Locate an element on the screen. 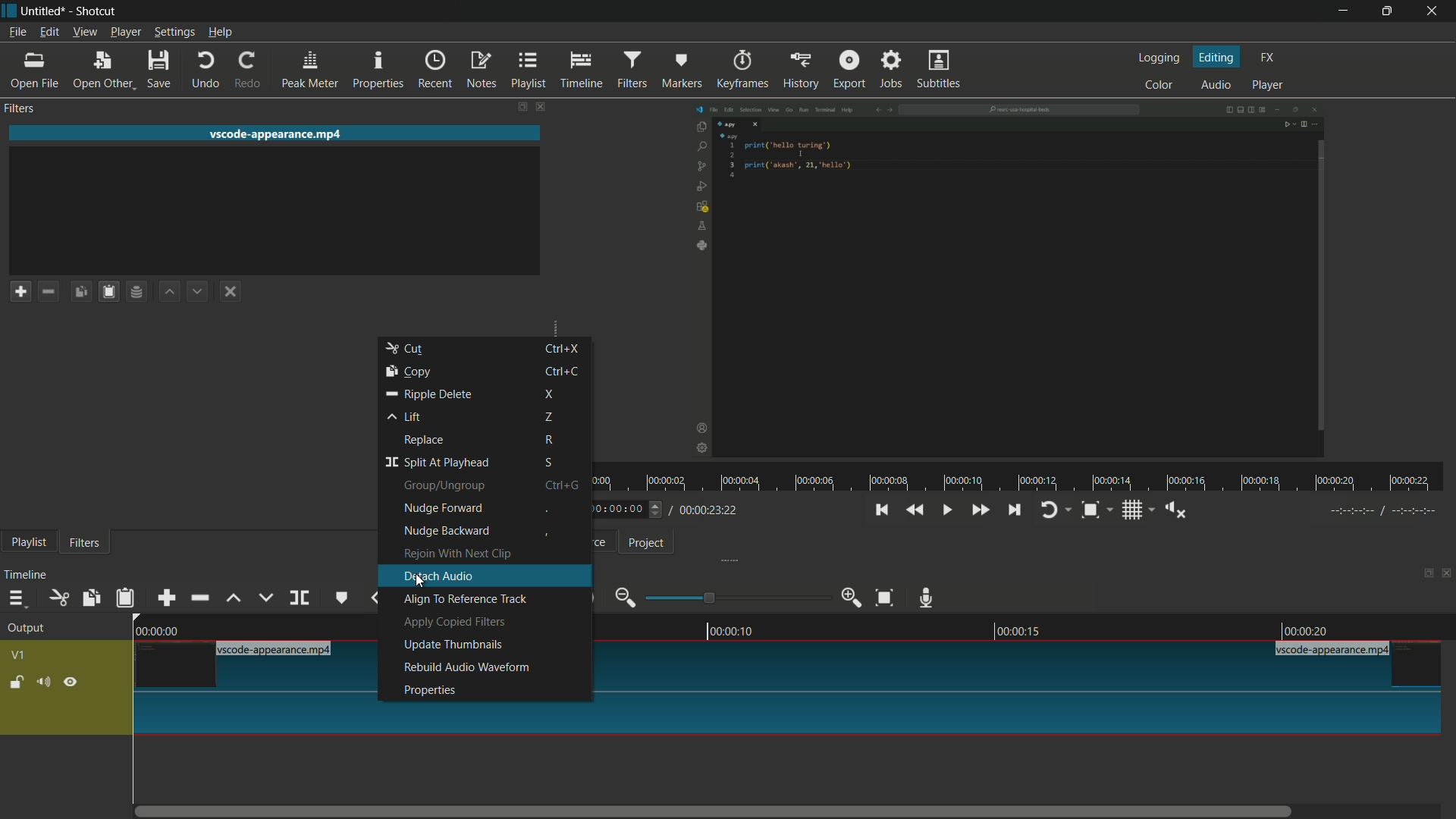 This screenshot has height=819, width=1456. close filters is located at coordinates (539, 107).